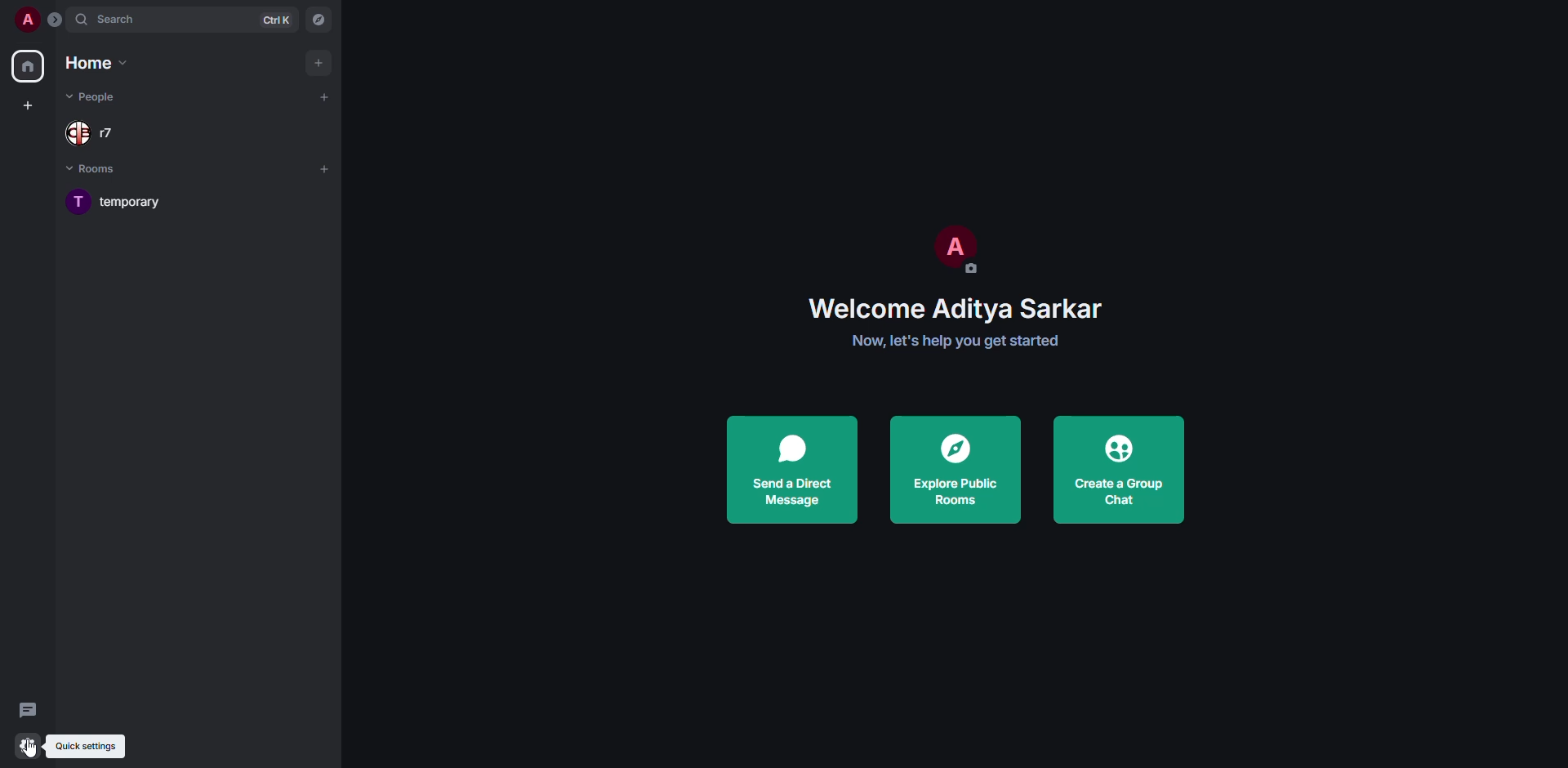 The image size is (1568, 768). Describe the element at coordinates (103, 745) in the screenshot. I see `quick settings` at that location.